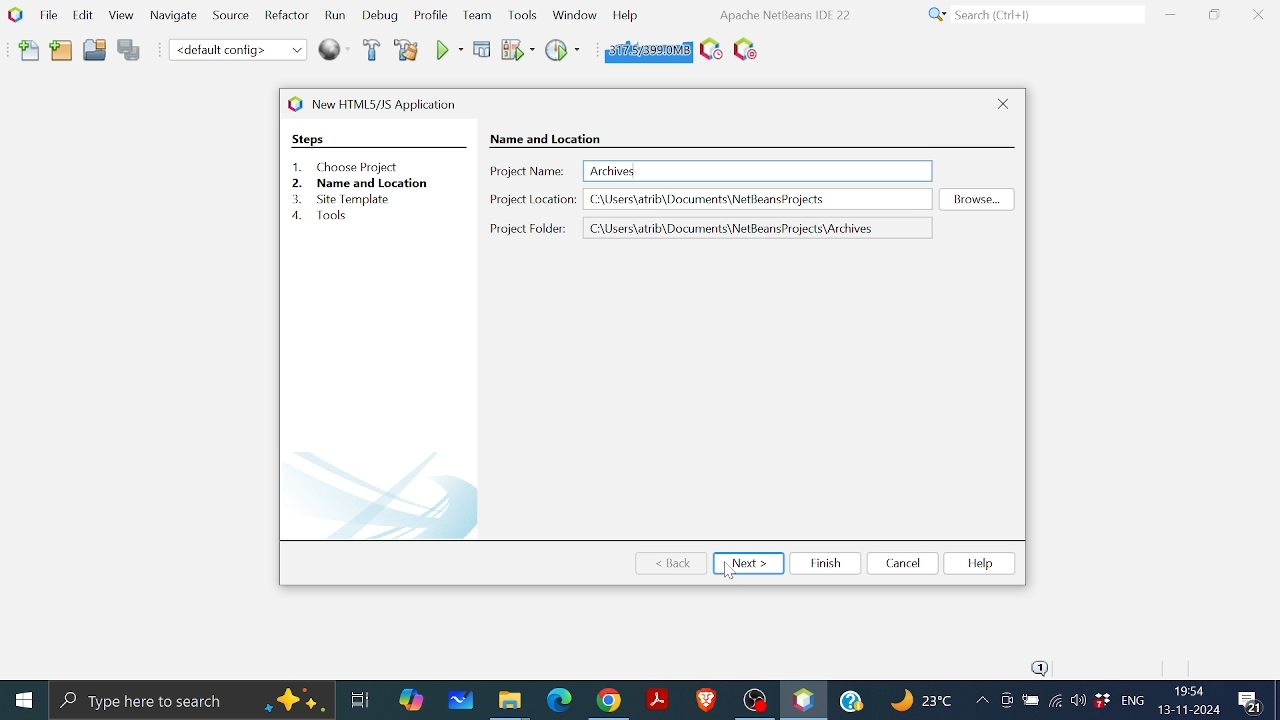 Image resolution: width=1280 pixels, height=720 pixels. I want to click on White board, so click(463, 699).